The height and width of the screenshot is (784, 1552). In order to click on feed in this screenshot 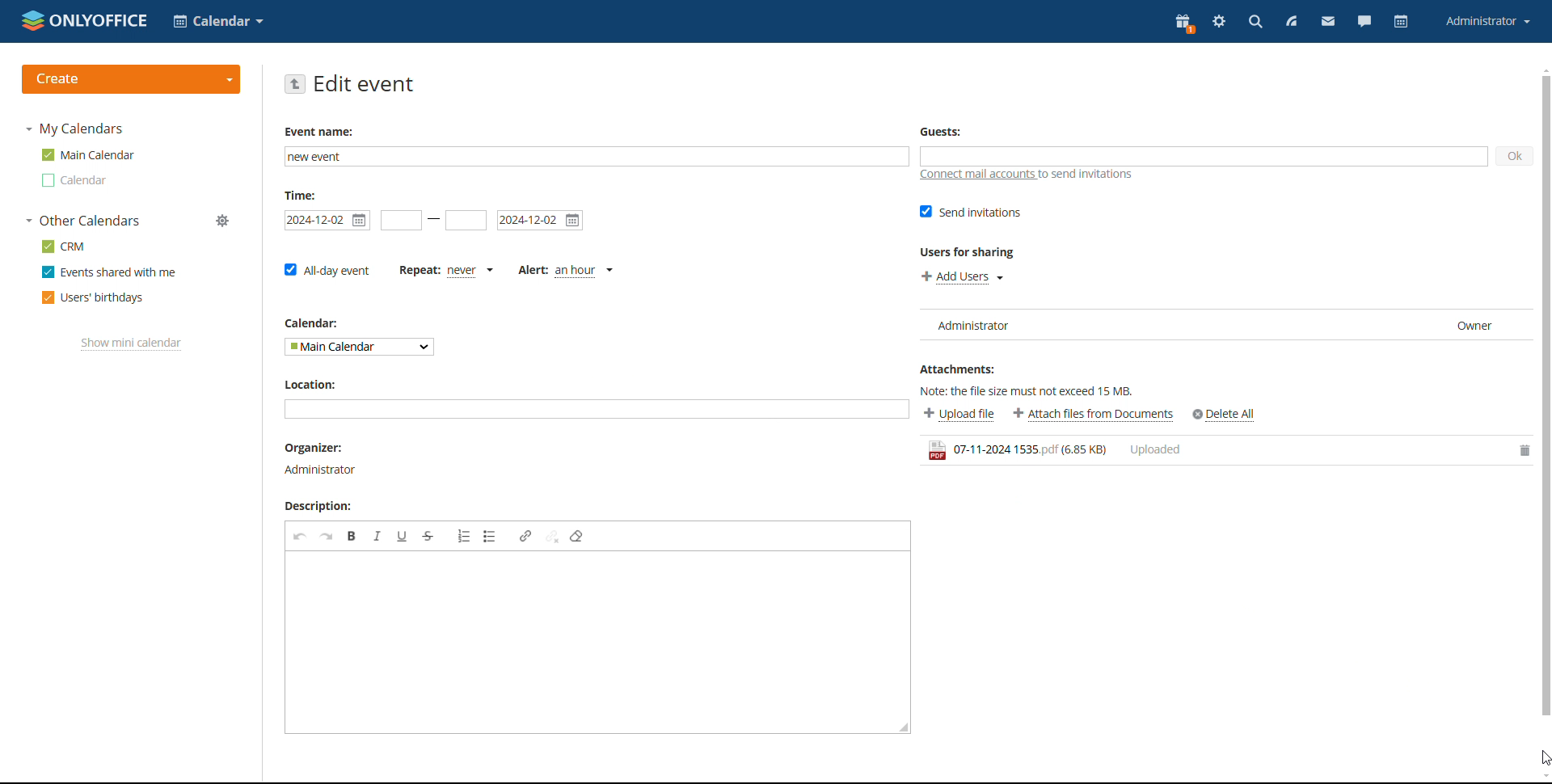, I will do `click(1292, 23)`.